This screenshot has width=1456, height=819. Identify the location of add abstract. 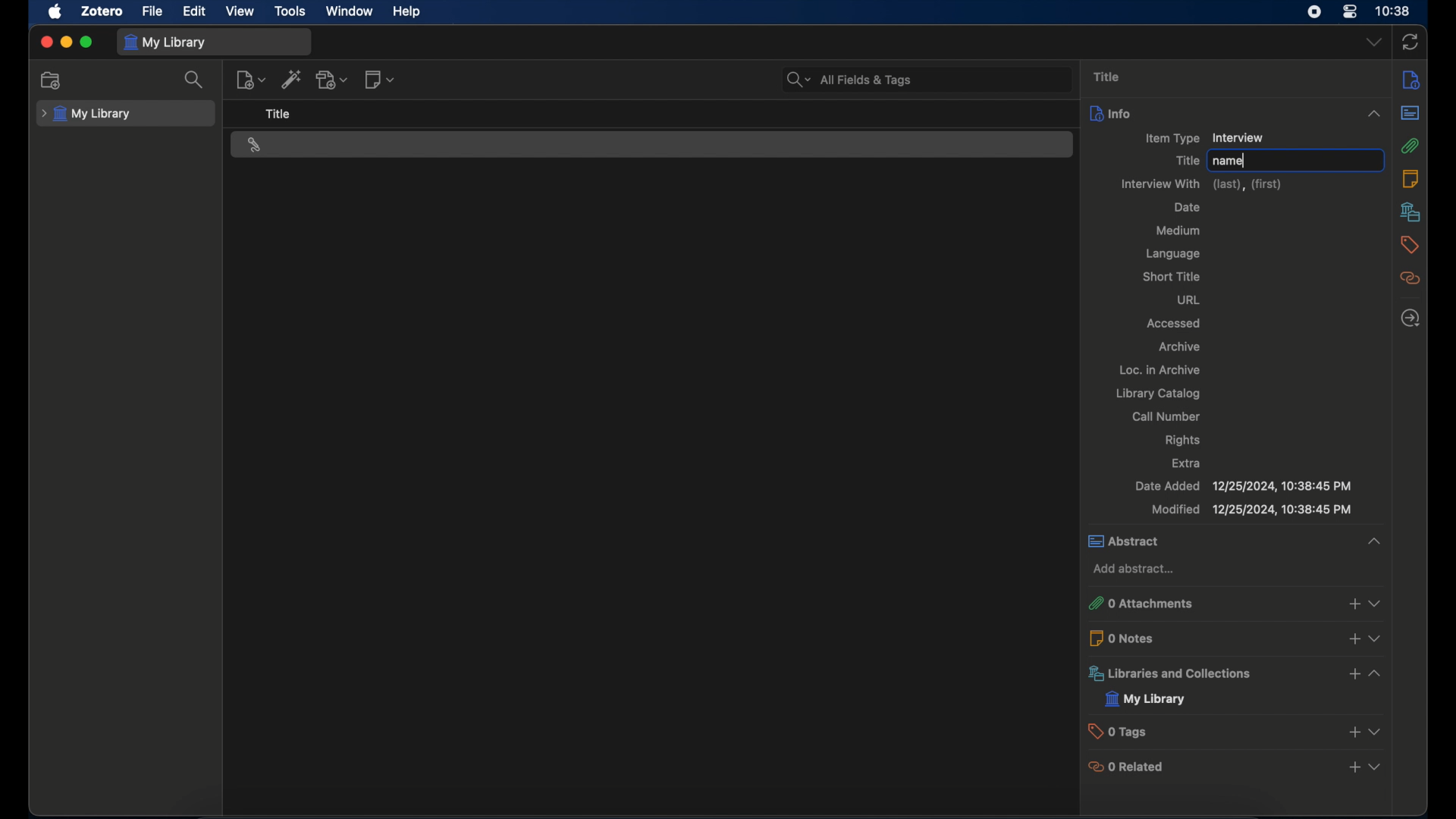
(1136, 569).